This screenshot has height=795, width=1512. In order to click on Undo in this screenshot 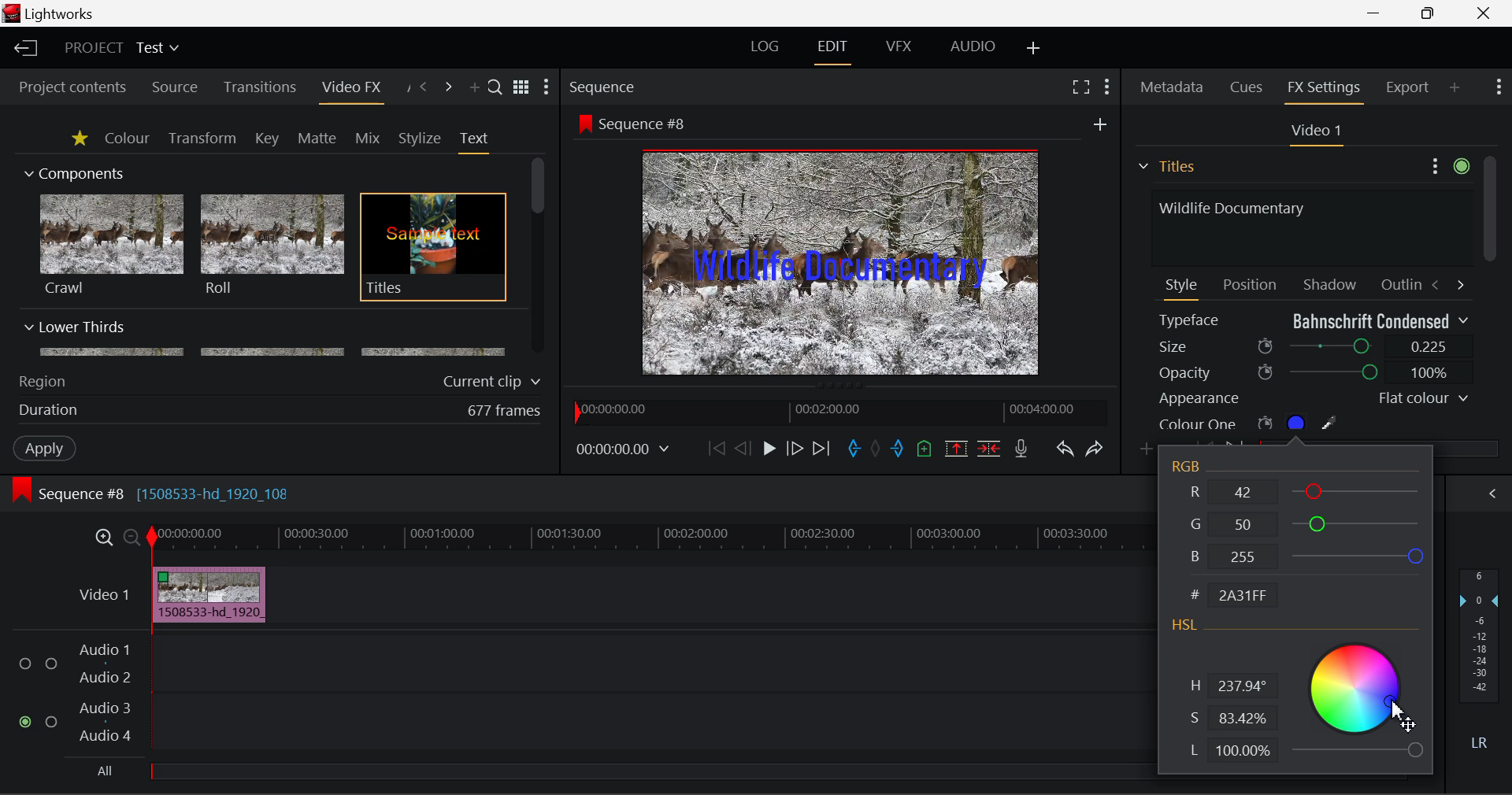, I will do `click(1065, 450)`.